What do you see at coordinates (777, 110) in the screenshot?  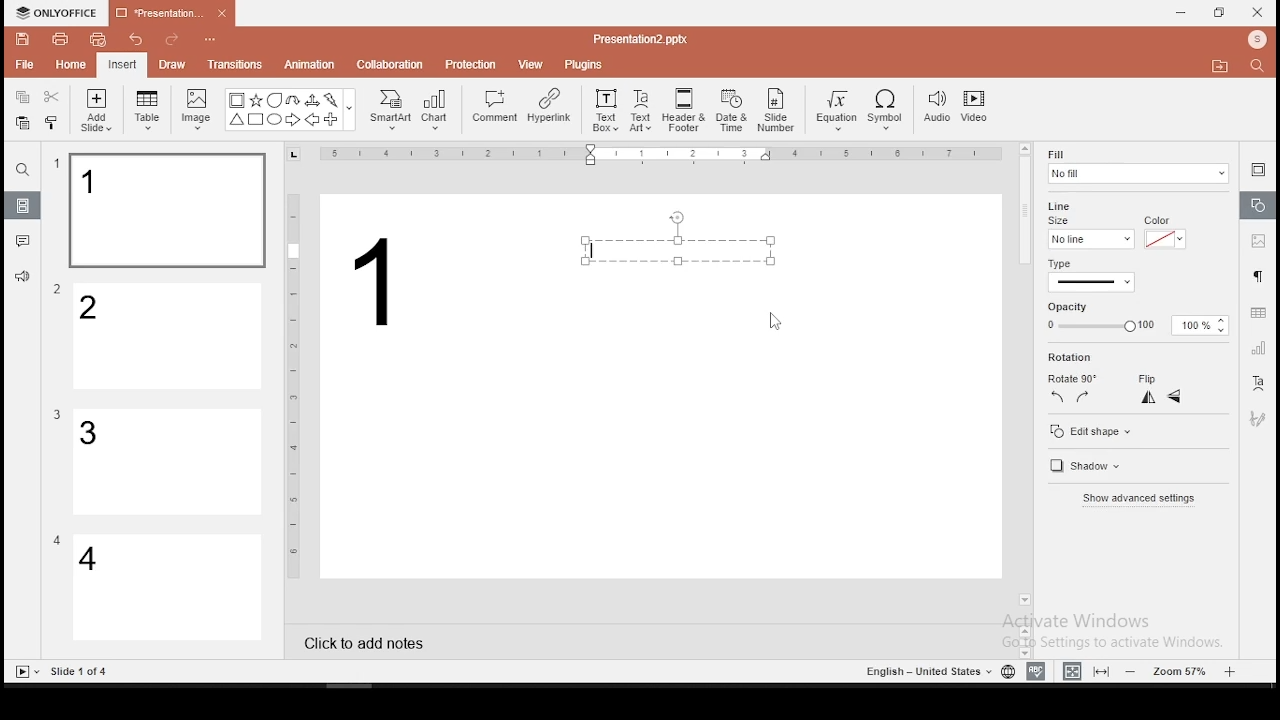 I see `slide number` at bounding box center [777, 110].